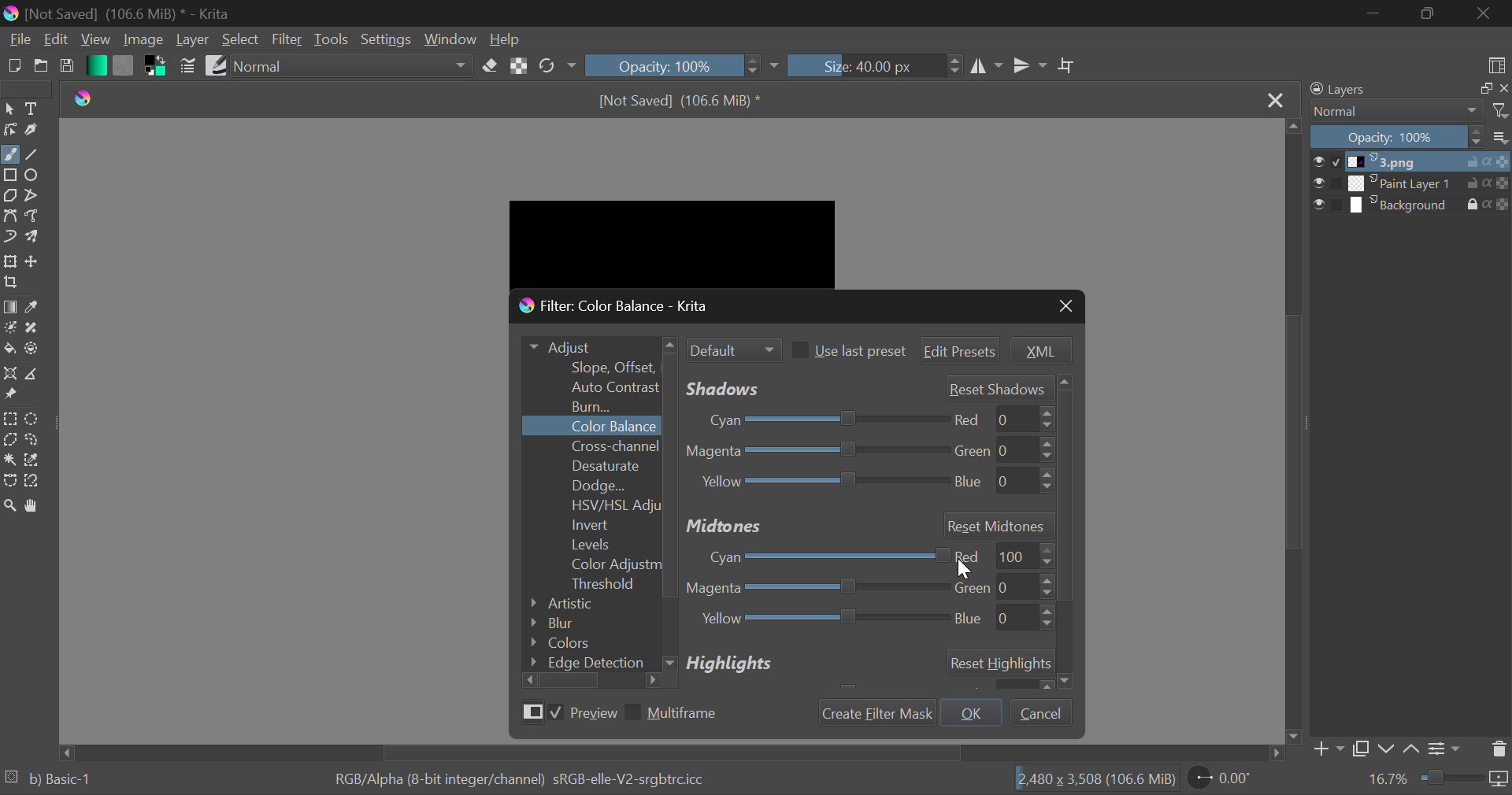 The image size is (1512, 795). Describe the element at coordinates (1499, 749) in the screenshot. I see `Delete Layer` at that location.